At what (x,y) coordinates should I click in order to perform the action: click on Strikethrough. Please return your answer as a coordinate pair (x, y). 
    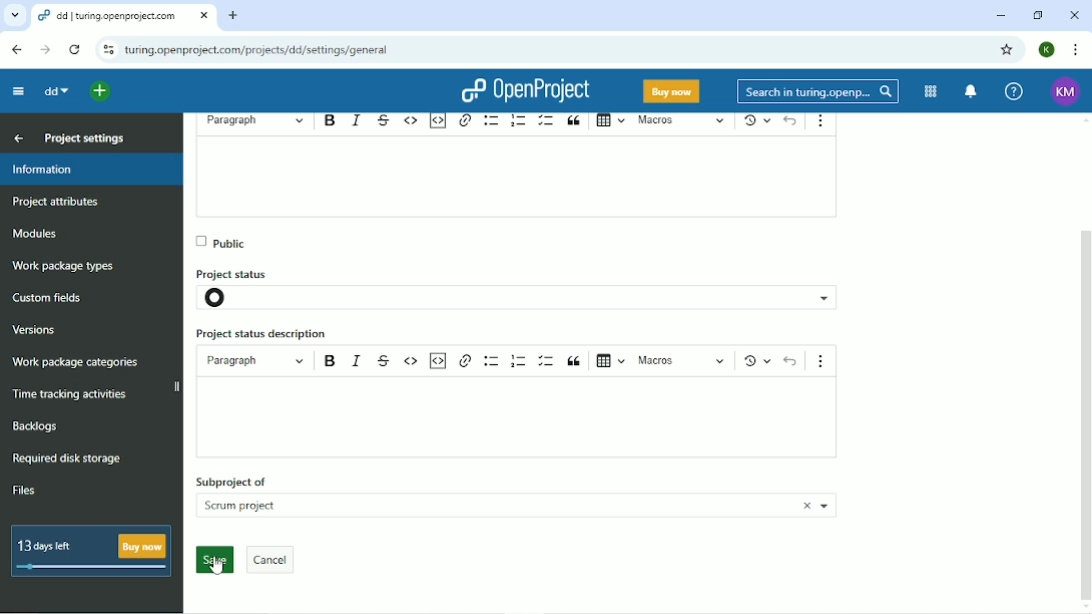
    Looking at the image, I should click on (382, 120).